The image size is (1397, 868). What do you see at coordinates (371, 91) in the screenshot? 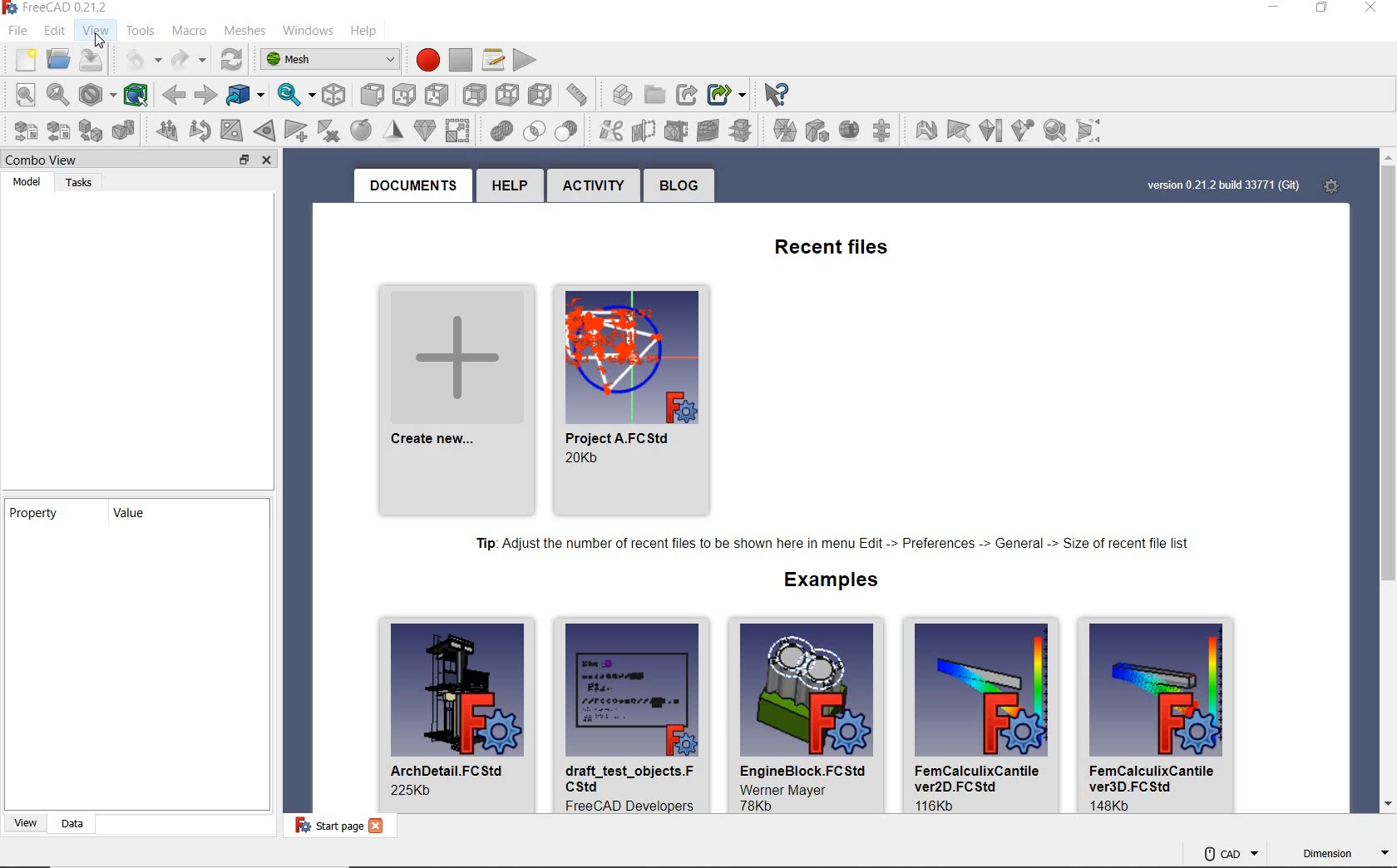
I see `top` at bounding box center [371, 91].